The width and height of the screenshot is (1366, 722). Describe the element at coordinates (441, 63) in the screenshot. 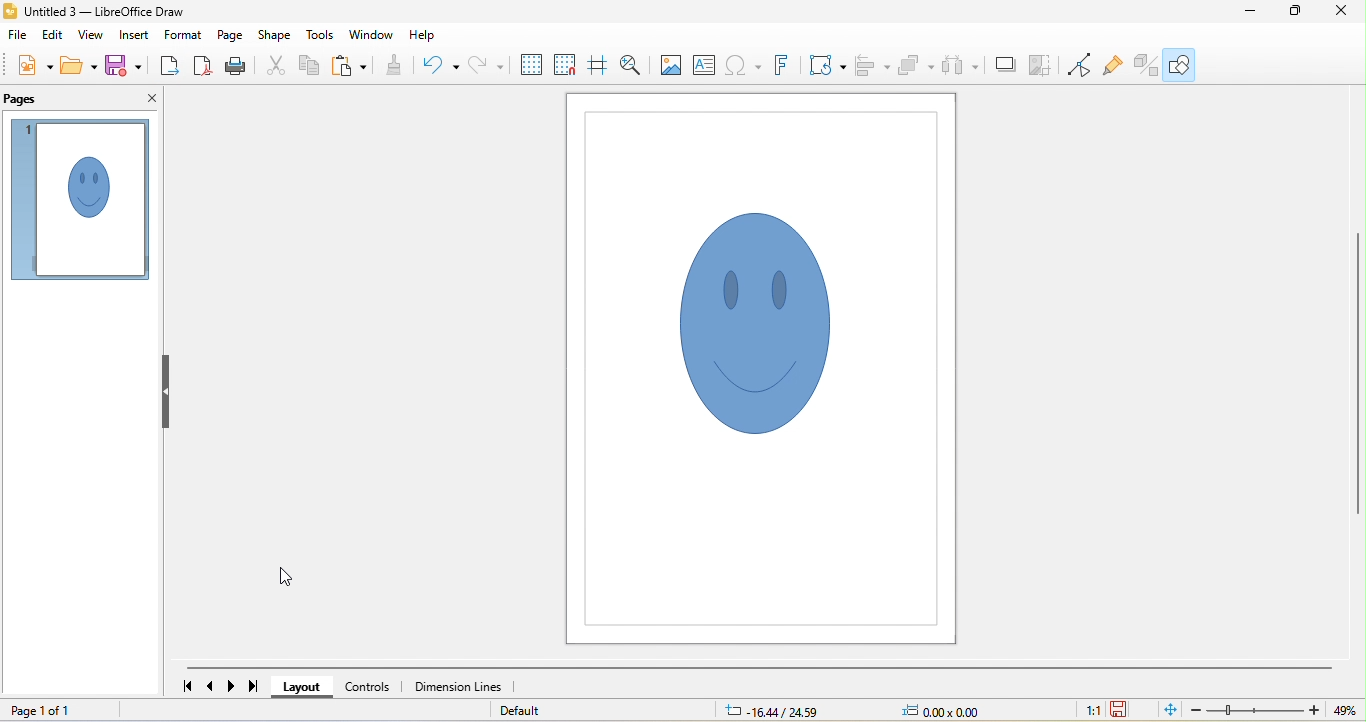

I see `undo` at that location.